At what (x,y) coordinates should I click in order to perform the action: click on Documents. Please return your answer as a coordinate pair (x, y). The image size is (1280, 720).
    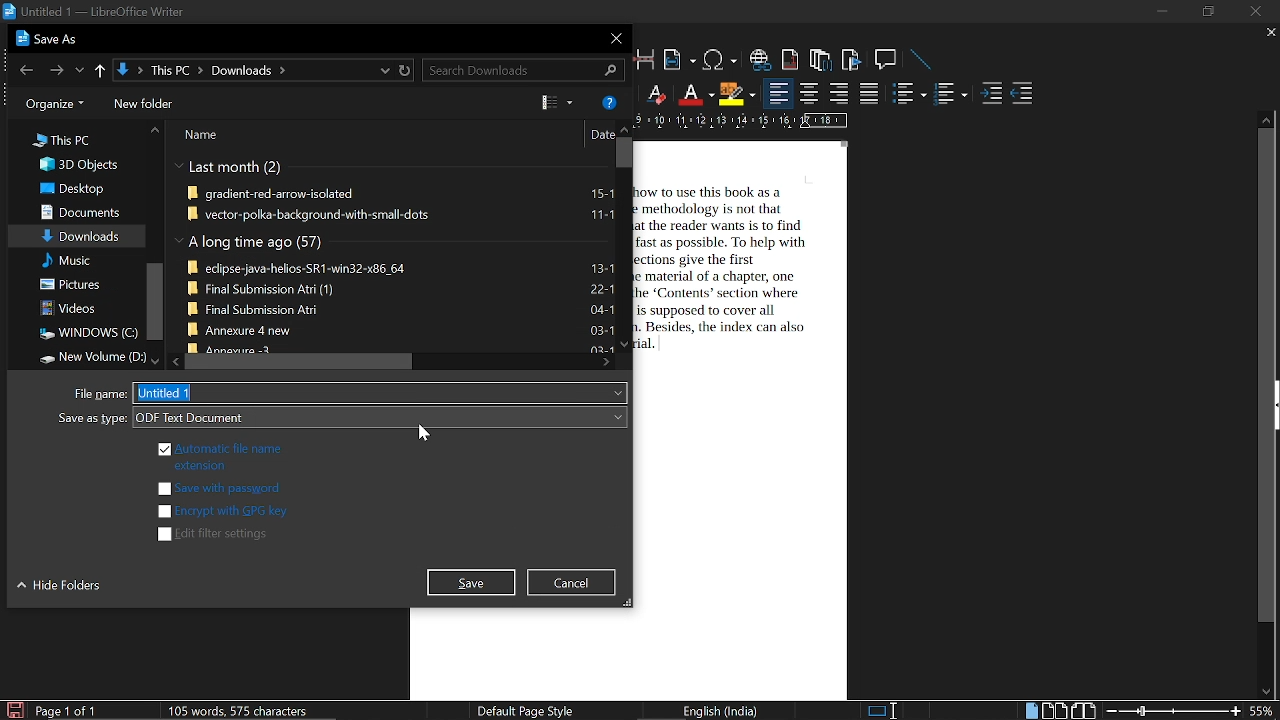
    Looking at the image, I should click on (78, 211).